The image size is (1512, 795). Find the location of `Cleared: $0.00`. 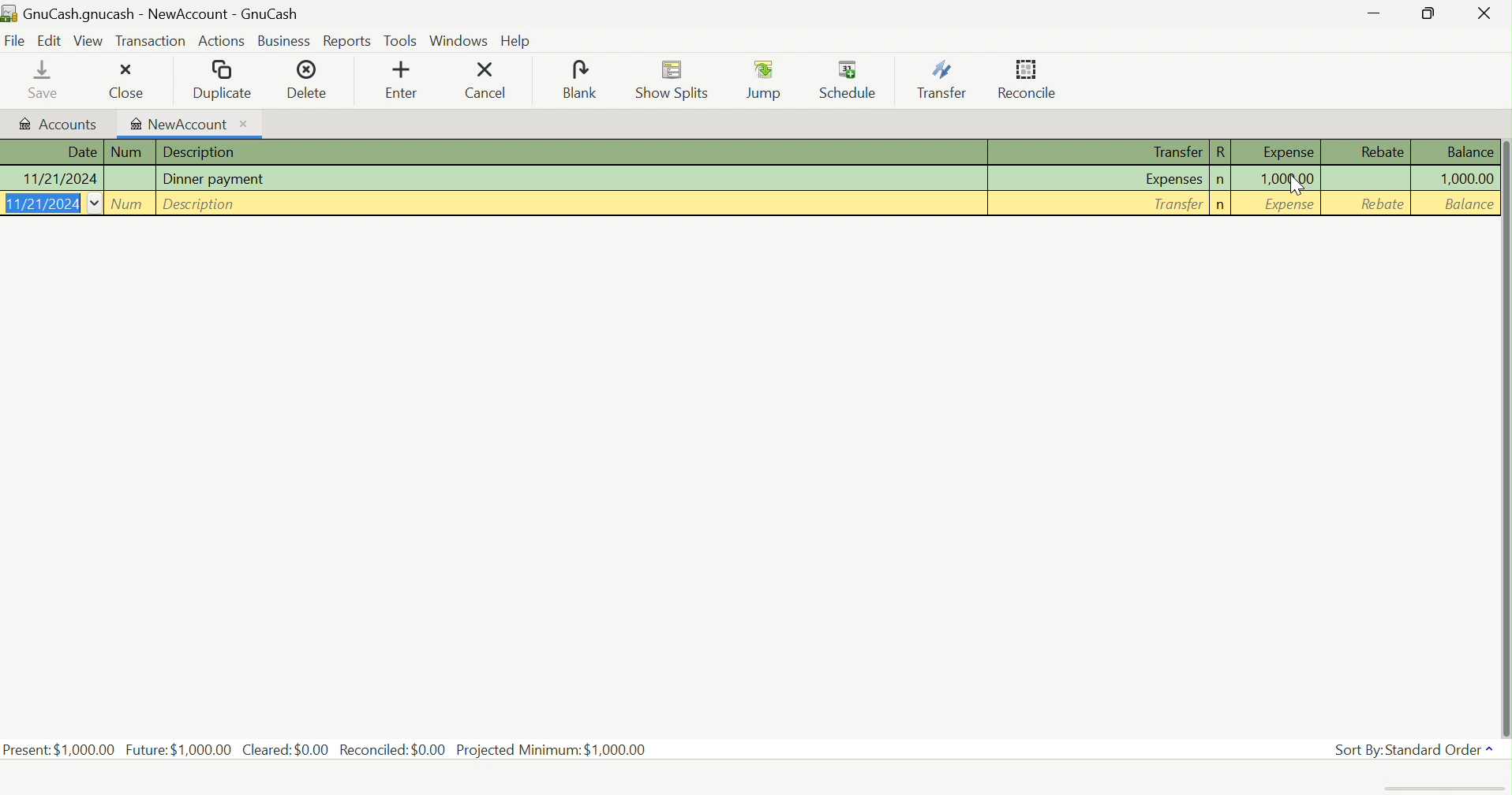

Cleared: $0.00 is located at coordinates (286, 750).